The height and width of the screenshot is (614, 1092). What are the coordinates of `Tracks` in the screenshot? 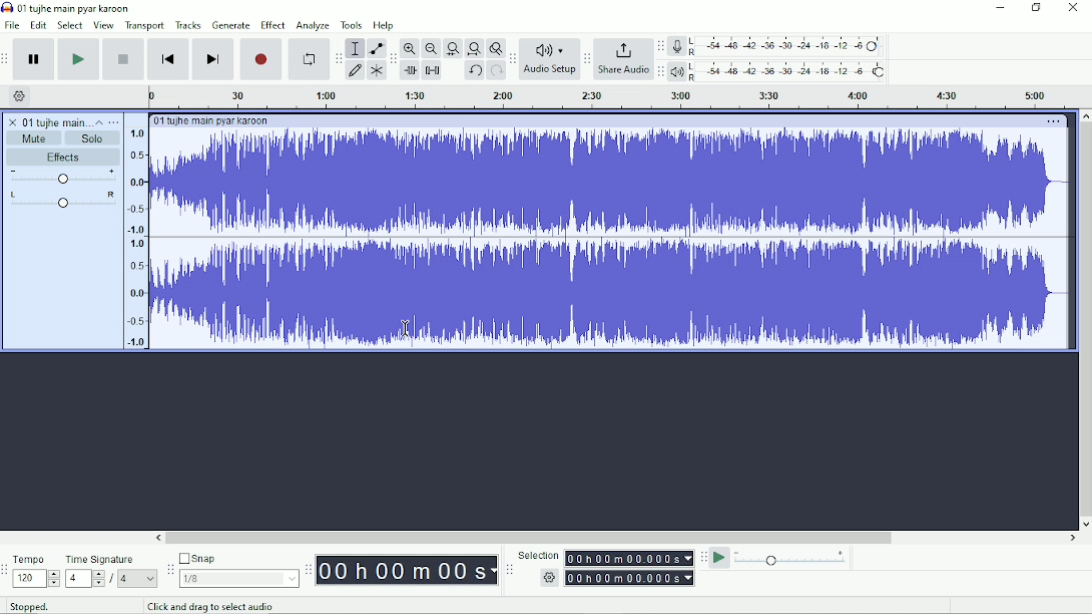 It's located at (189, 24).